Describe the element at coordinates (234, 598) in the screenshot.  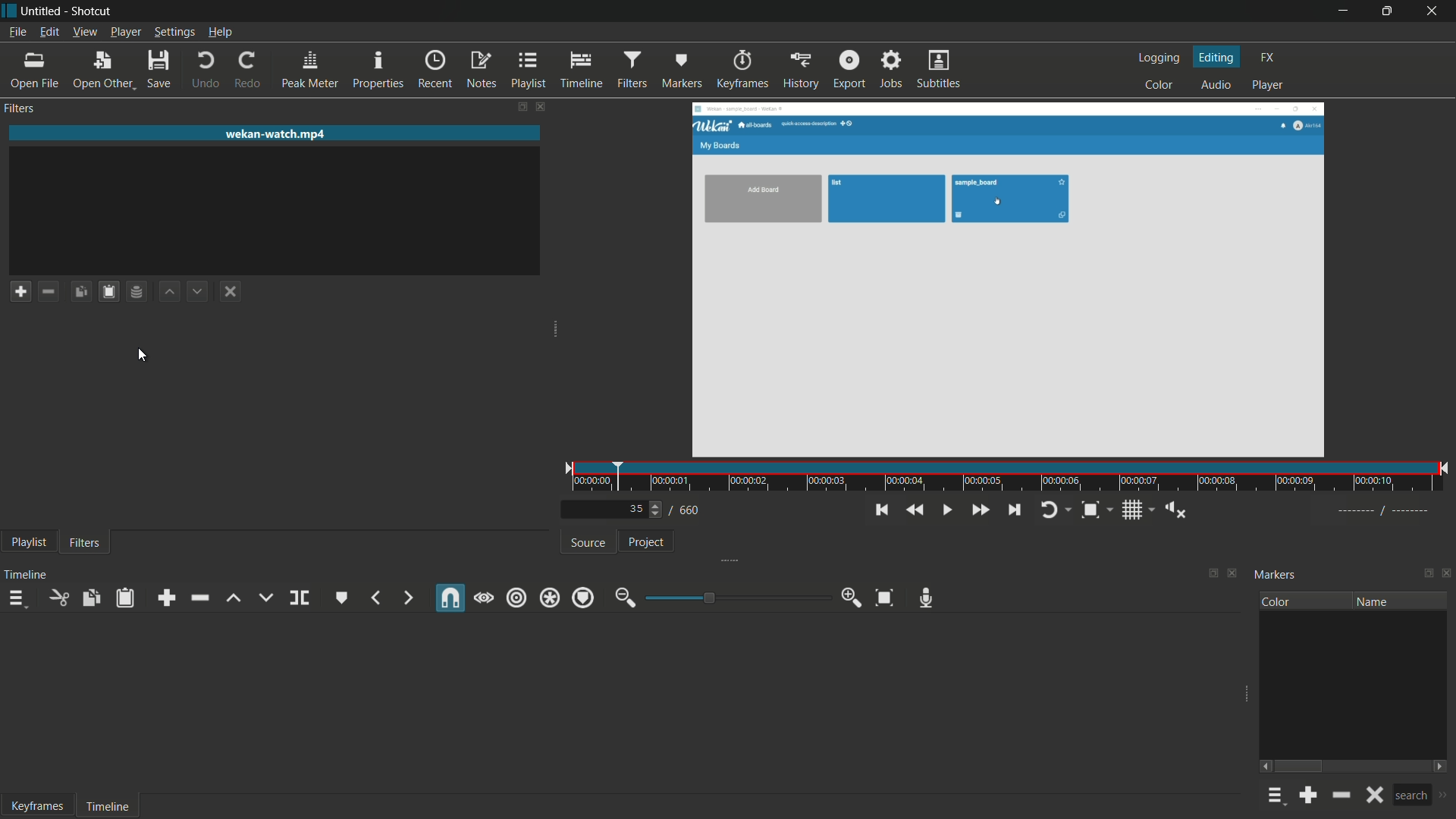
I see `lift` at that location.